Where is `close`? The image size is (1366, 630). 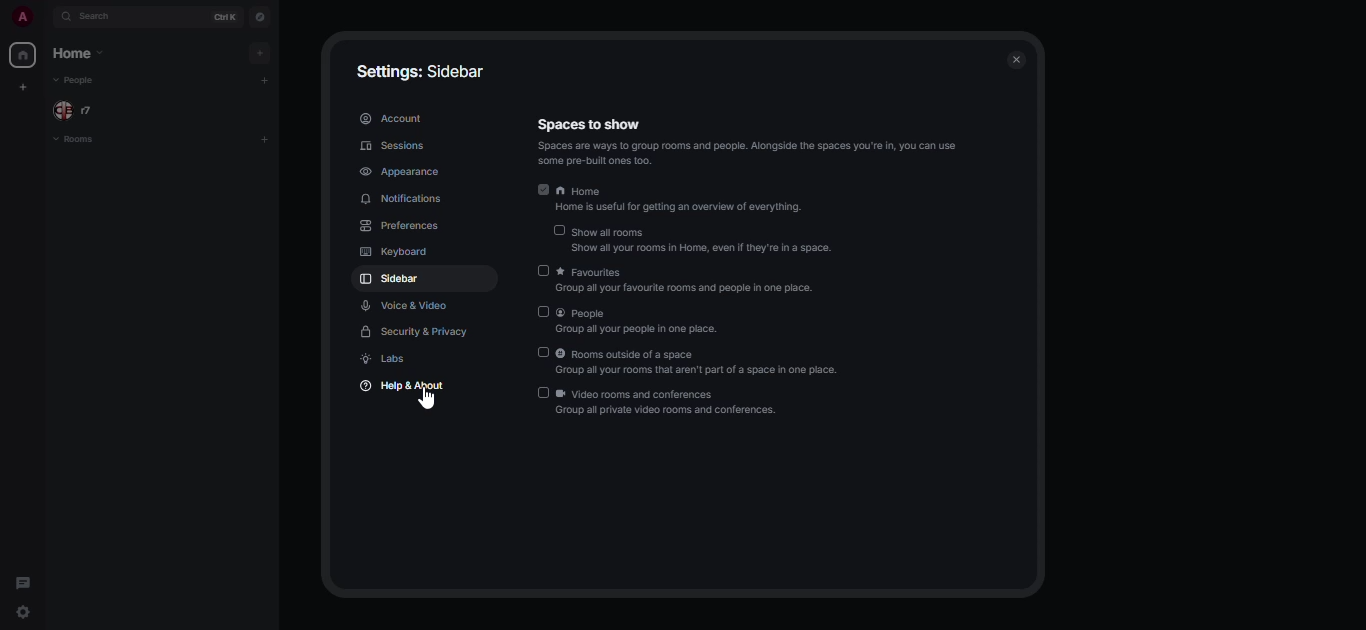
close is located at coordinates (1016, 60).